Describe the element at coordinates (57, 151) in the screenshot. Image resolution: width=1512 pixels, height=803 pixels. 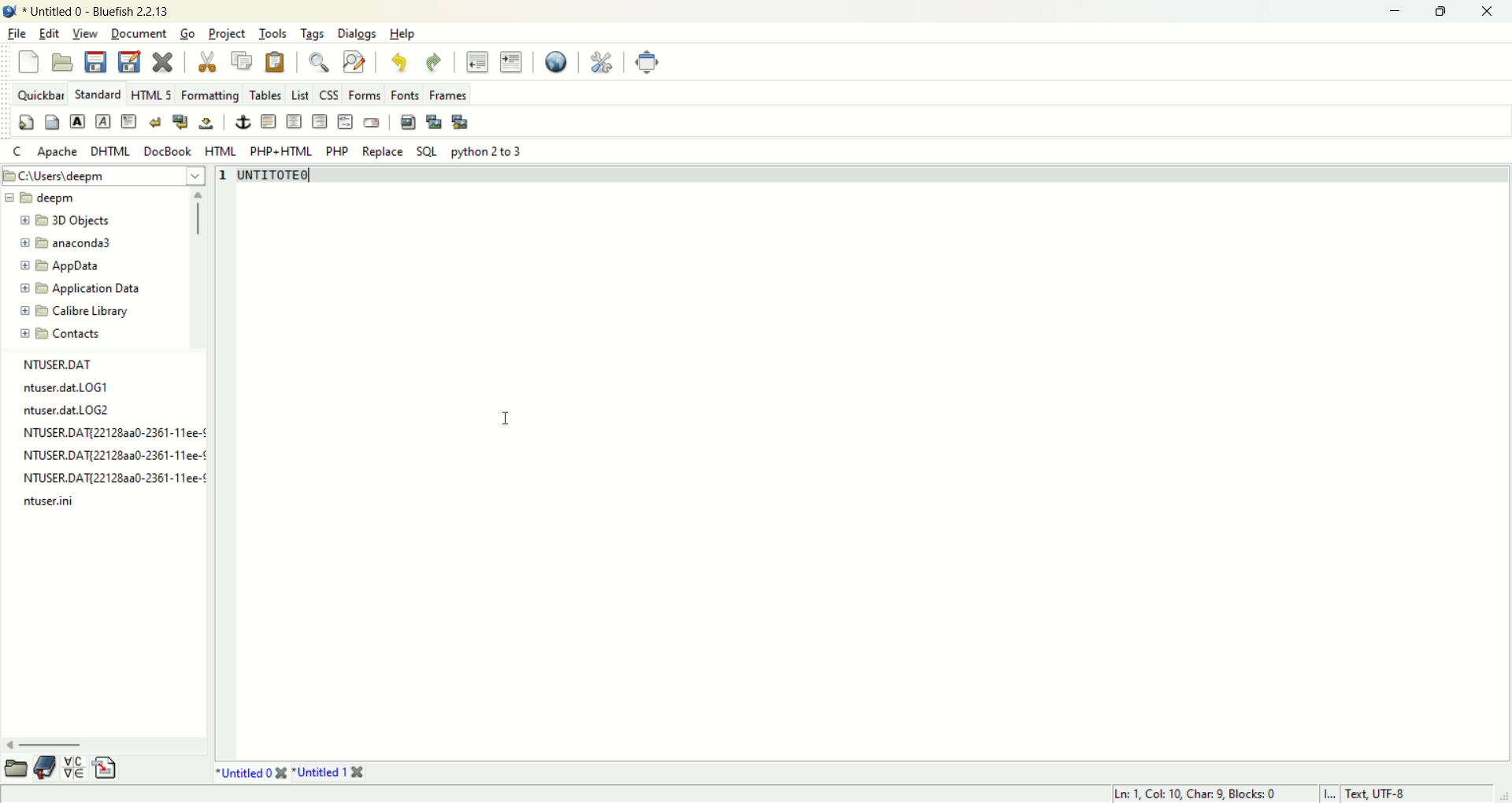
I see `Apache` at that location.